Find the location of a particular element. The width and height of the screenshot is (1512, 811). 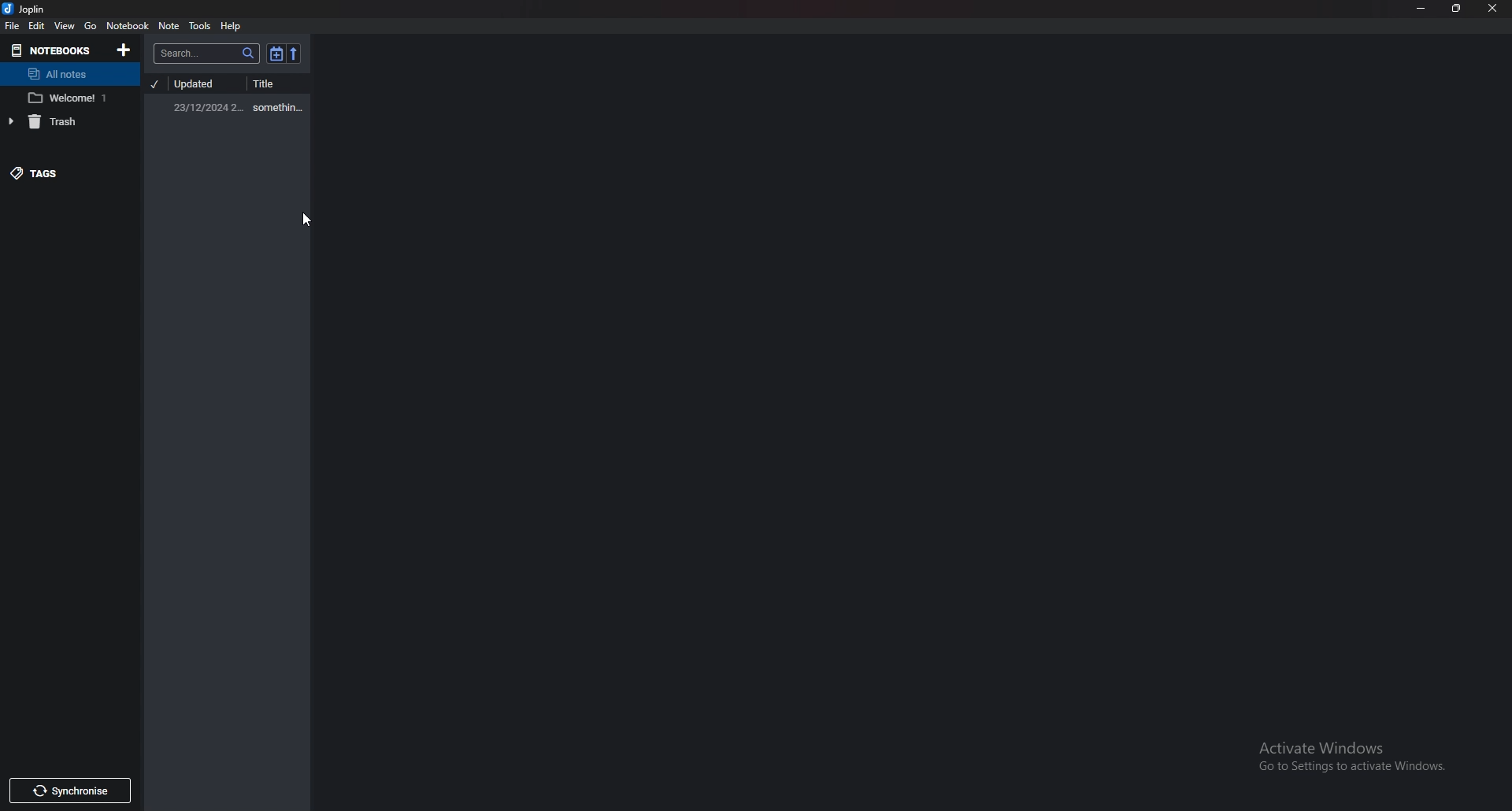

Synchronize is located at coordinates (76, 791).